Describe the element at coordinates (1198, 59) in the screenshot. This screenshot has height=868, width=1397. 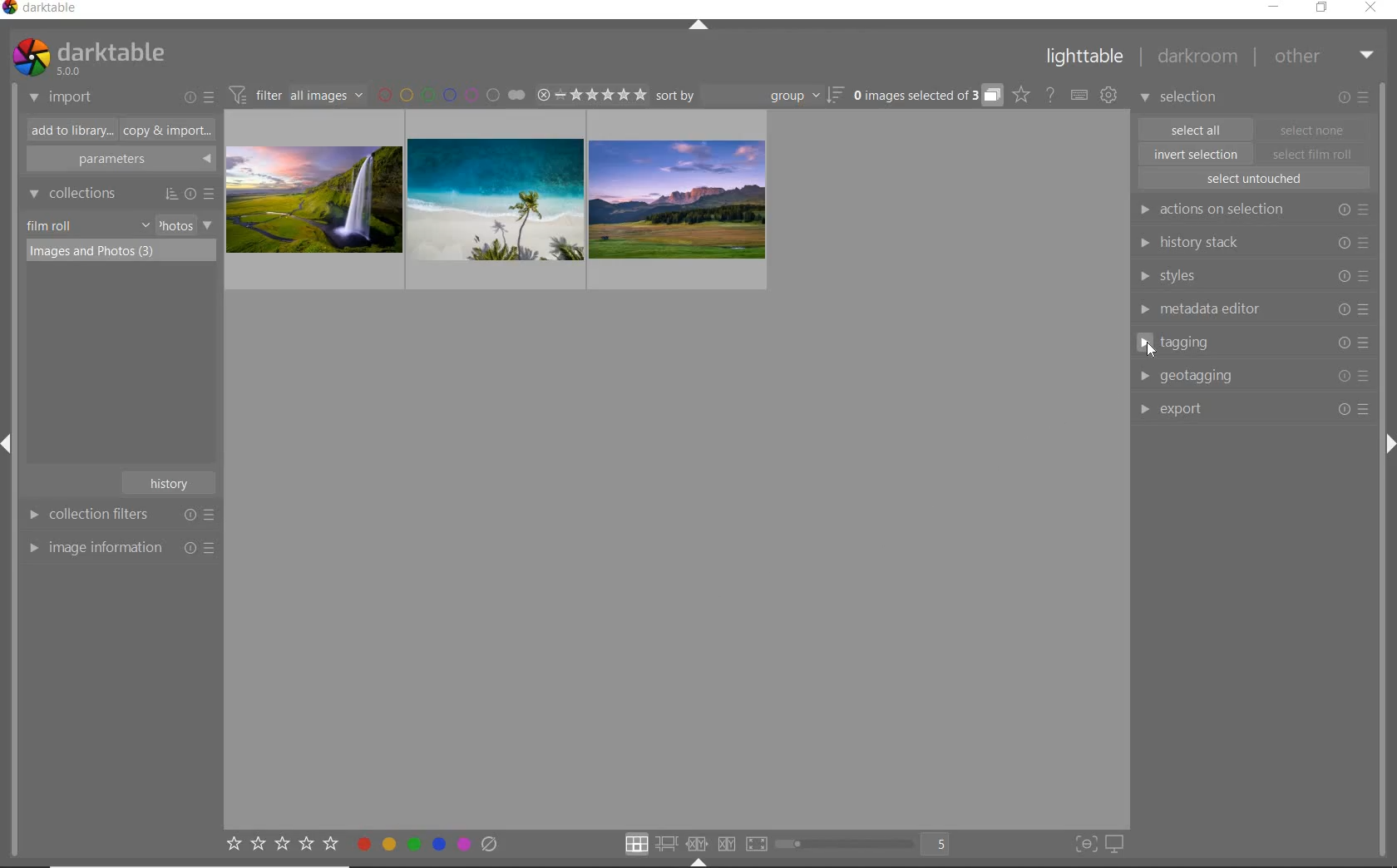
I see `darkroom` at that location.